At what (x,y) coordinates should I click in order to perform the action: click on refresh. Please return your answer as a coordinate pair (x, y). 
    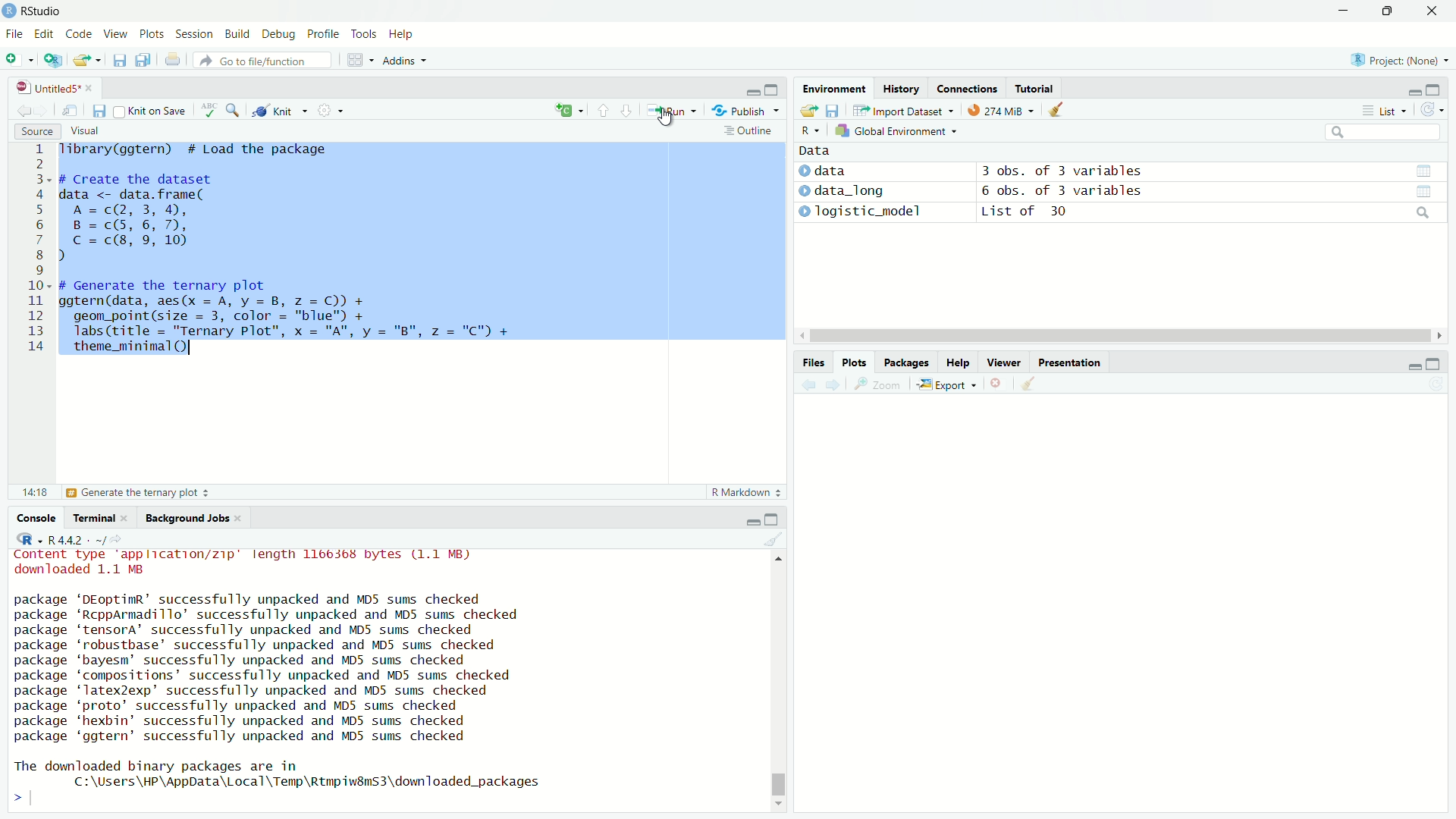
    Looking at the image, I should click on (1432, 112).